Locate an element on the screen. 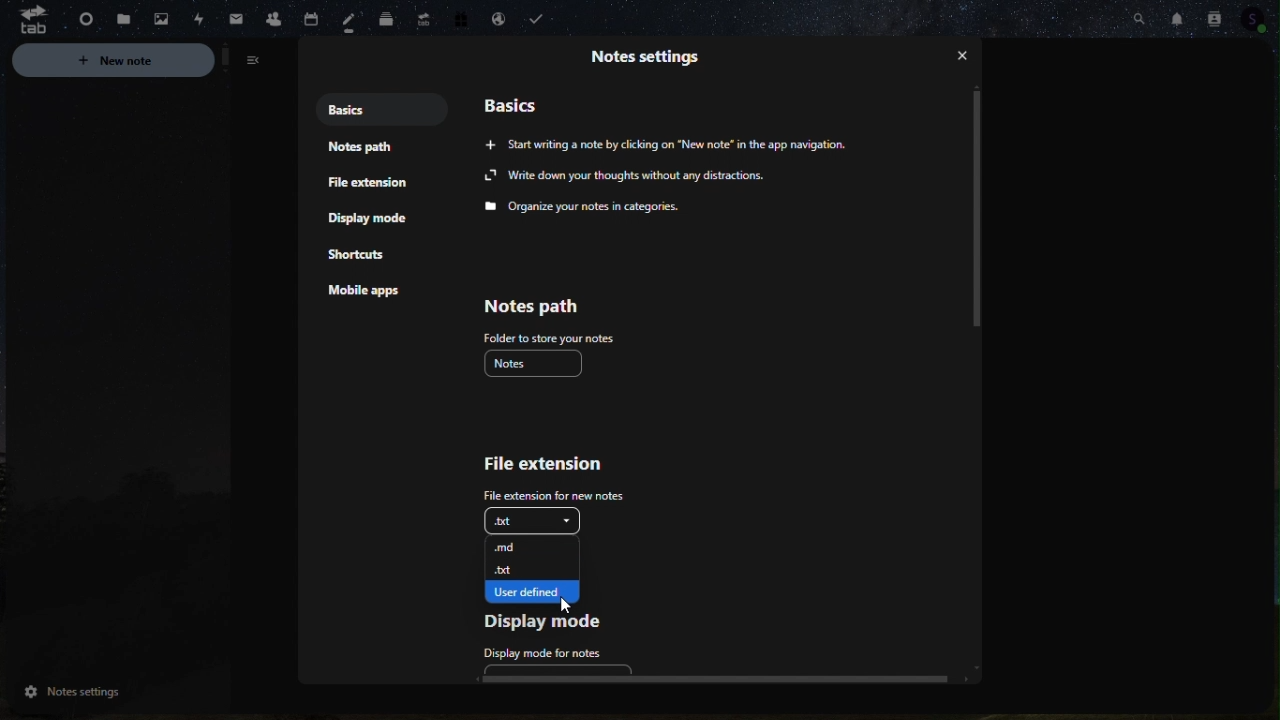  free trial is located at coordinates (461, 18).